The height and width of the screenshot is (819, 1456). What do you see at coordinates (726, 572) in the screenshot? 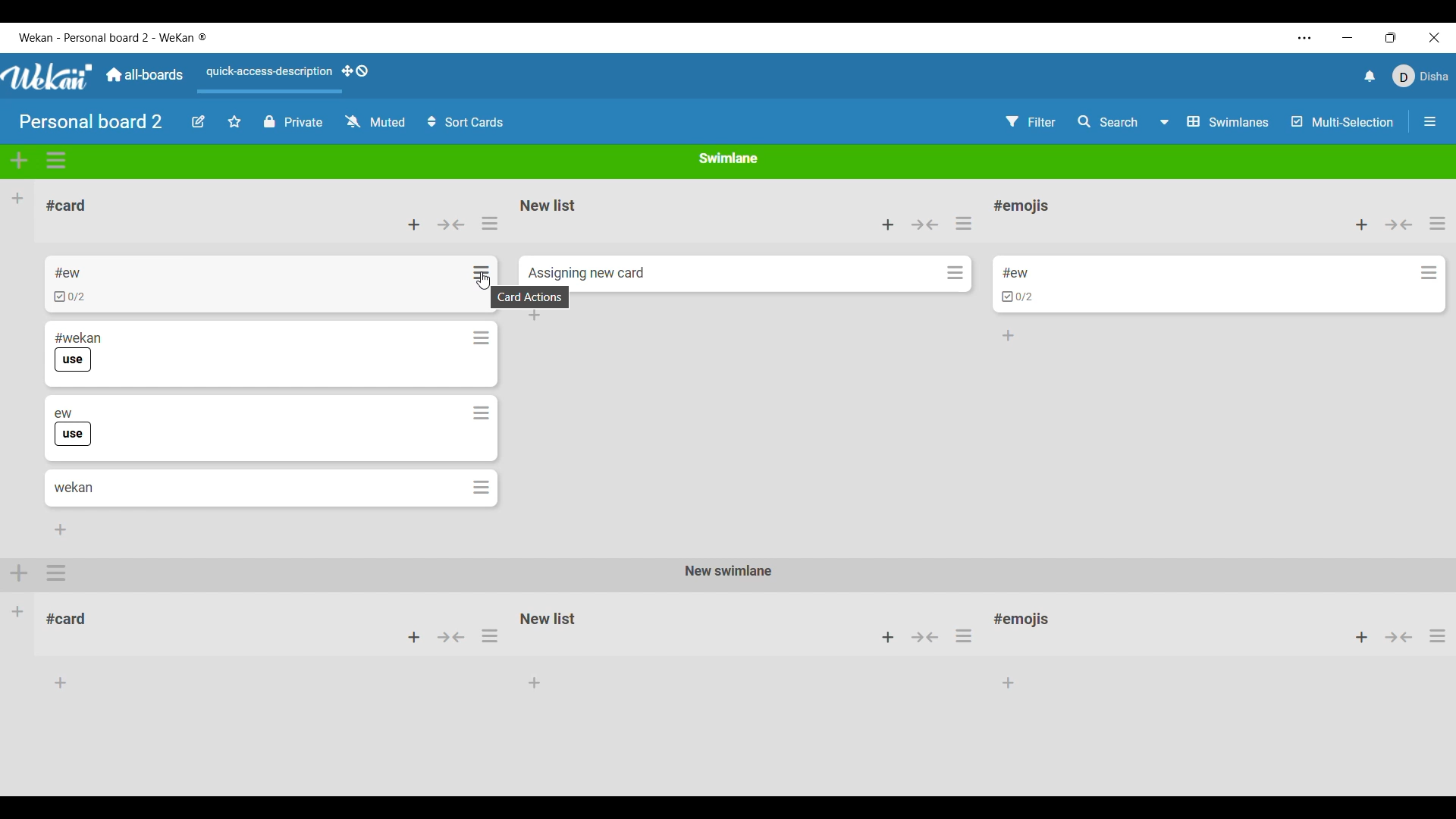
I see `New swimlane` at bounding box center [726, 572].